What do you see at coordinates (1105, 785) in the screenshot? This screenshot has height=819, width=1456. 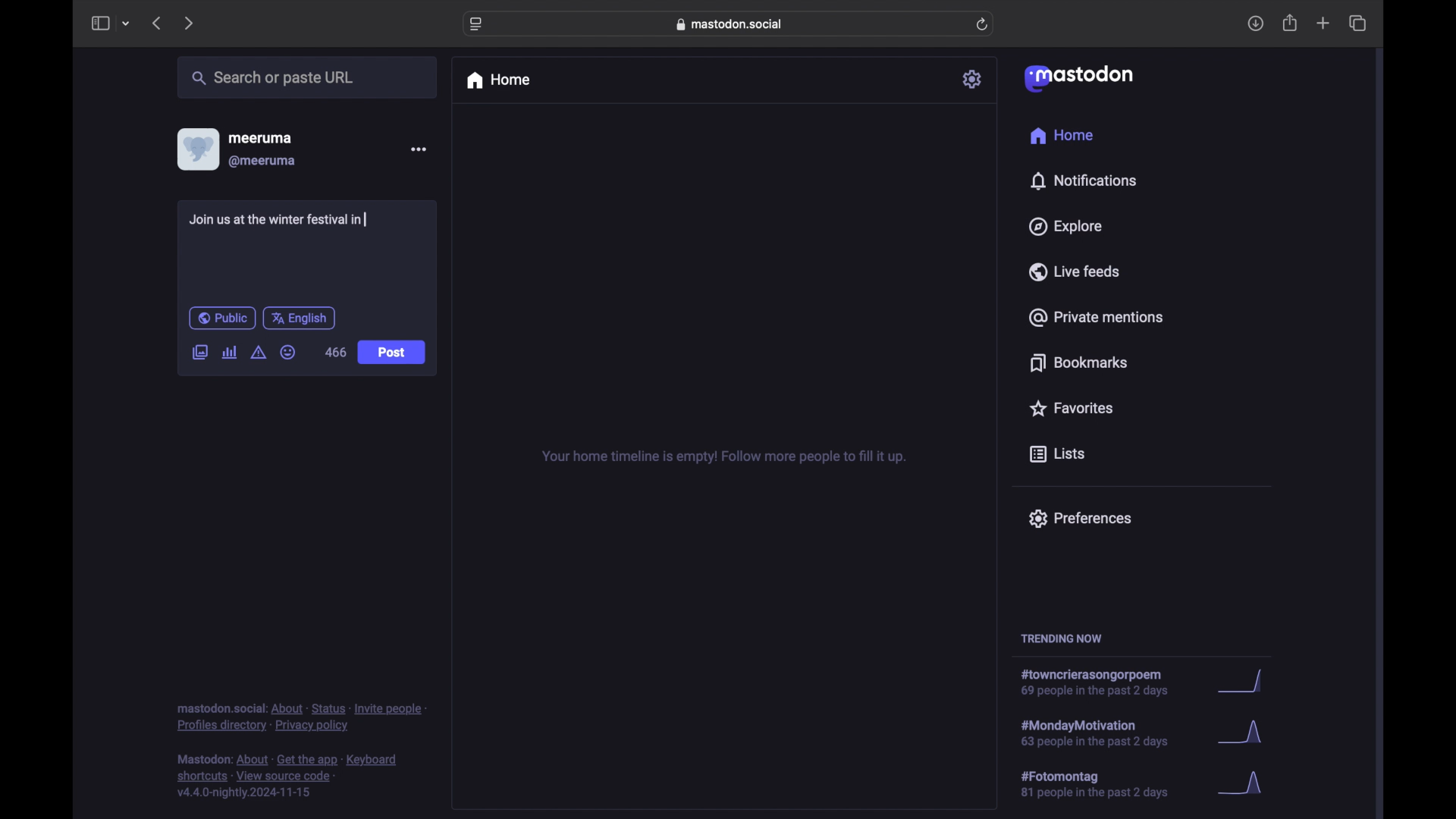 I see `hashtag trend` at bounding box center [1105, 785].